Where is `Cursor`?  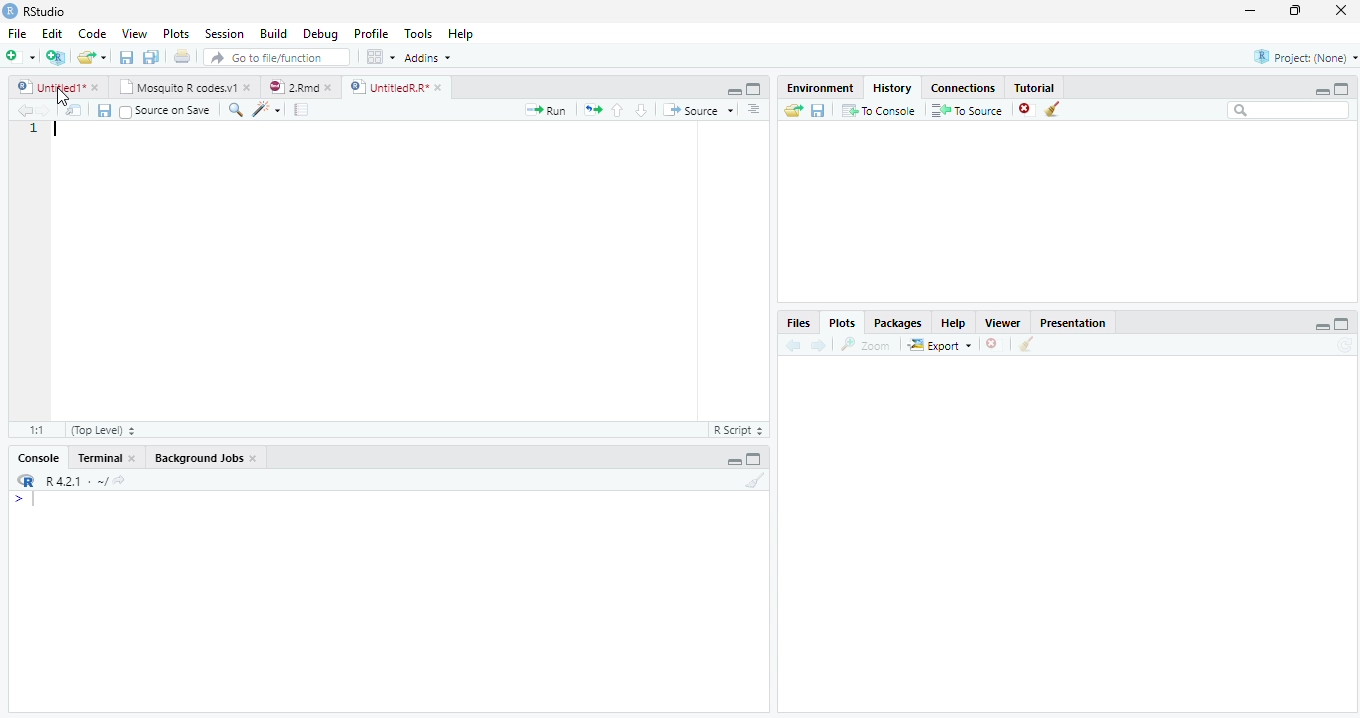
Cursor is located at coordinates (37, 501).